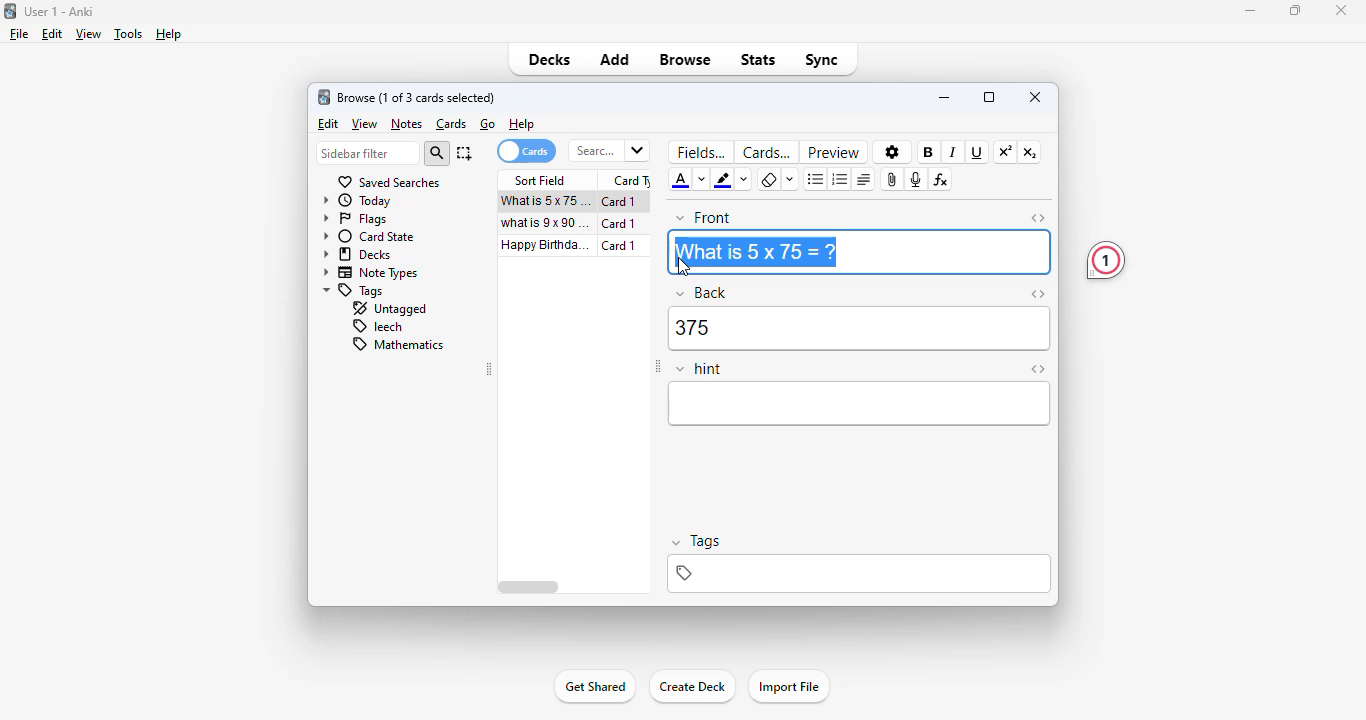 This screenshot has height=720, width=1366. Describe the element at coordinates (546, 201) in the screenshot. I see `what is 5x75=?` at that location.